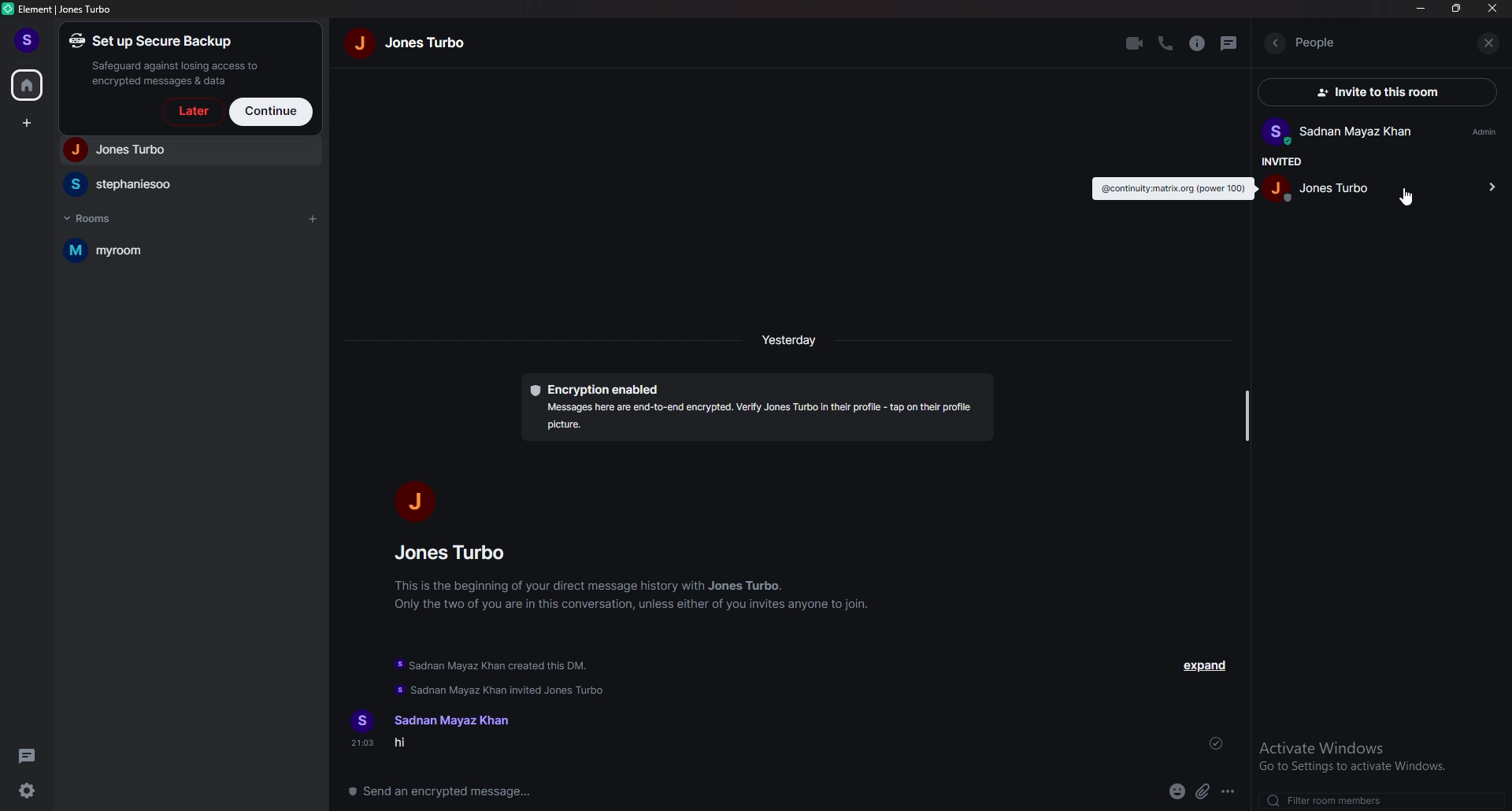 Image resolution: width=1512 pixels, height=811 pixels. Describe the element at coordinates (1422, 8) in the screenshot. I see `minimize` at that location.